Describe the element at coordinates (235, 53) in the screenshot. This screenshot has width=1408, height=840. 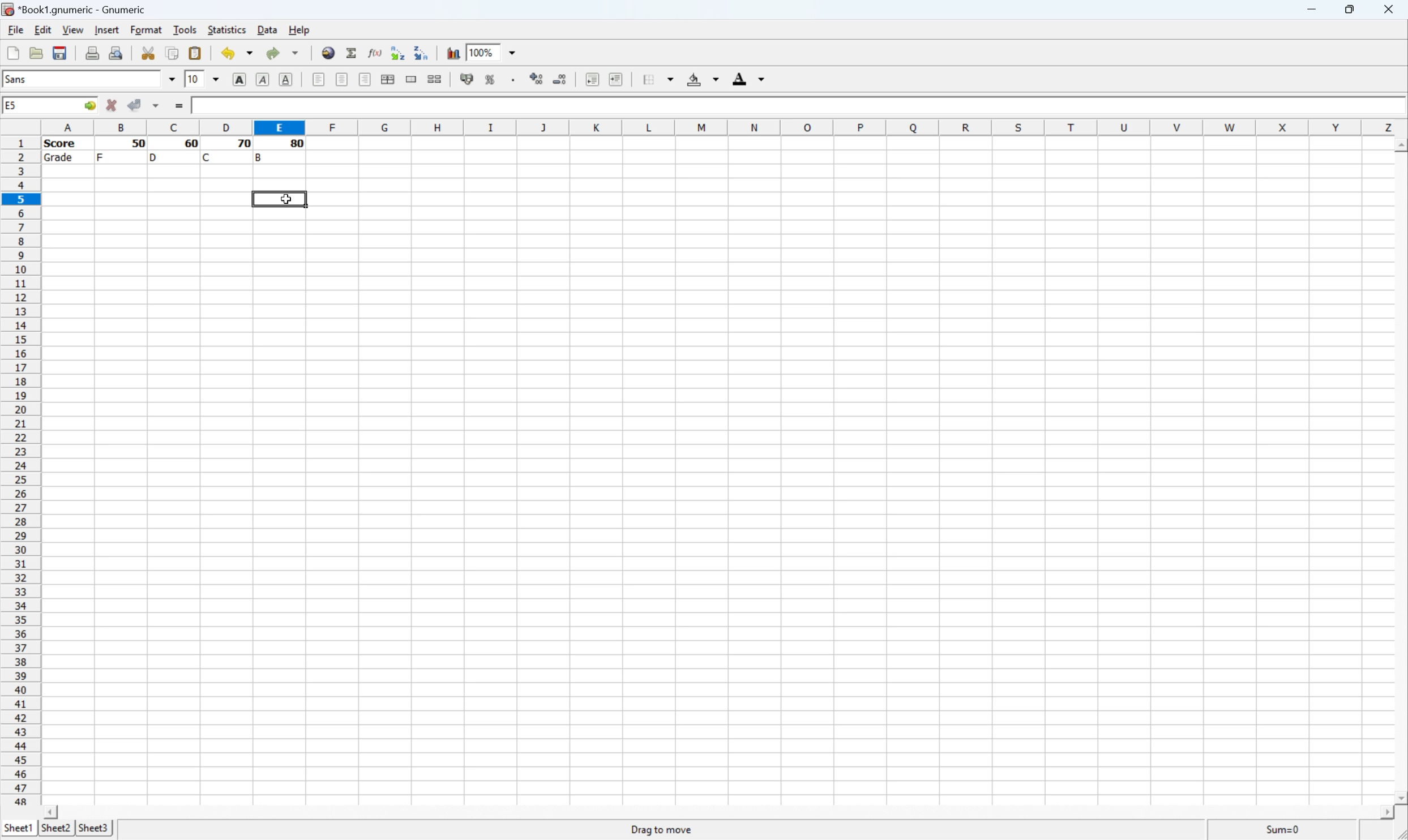
I see `Undo` at that location.